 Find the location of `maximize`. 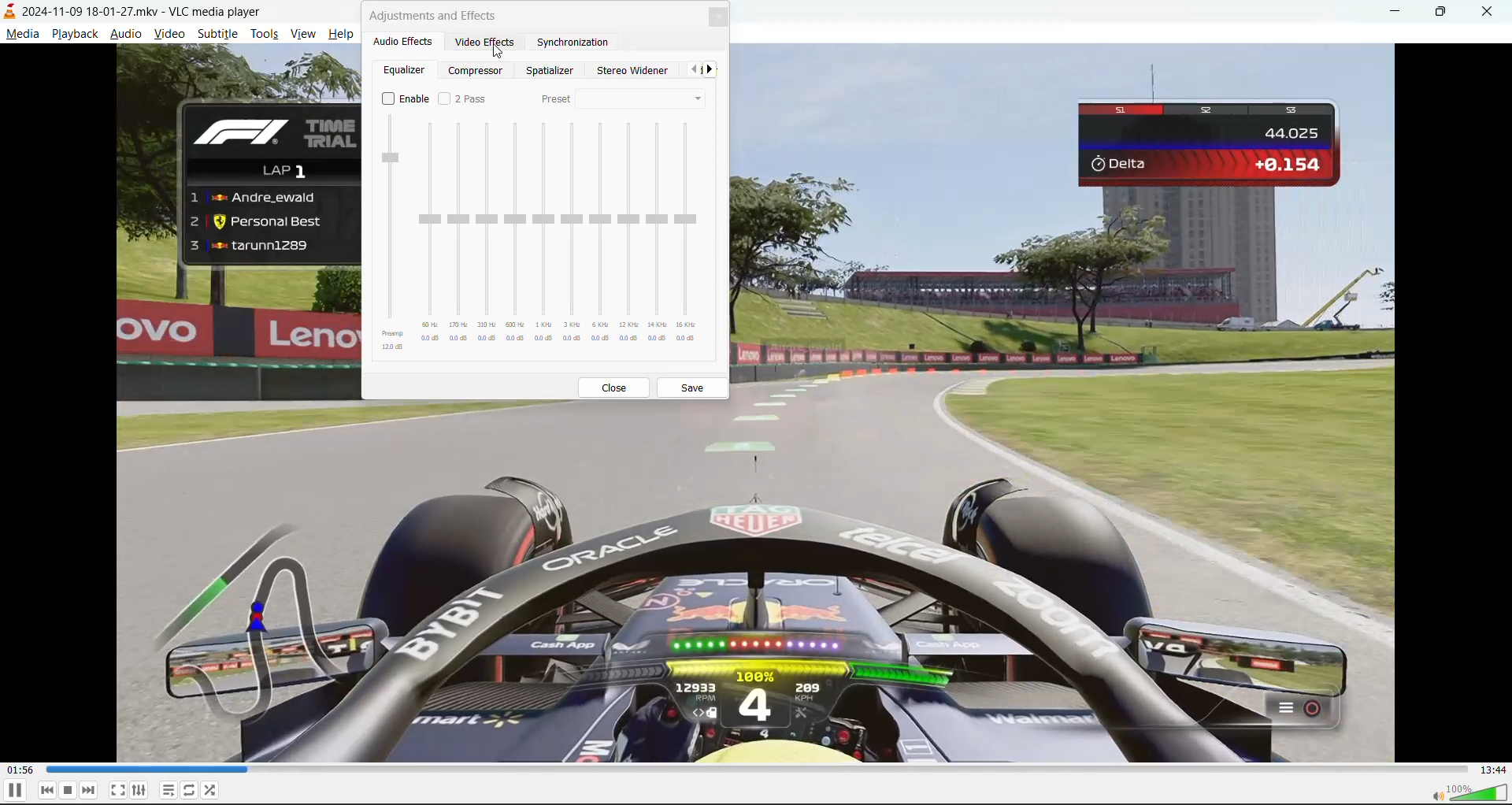

maximize is located at coordinates (1449, 13).